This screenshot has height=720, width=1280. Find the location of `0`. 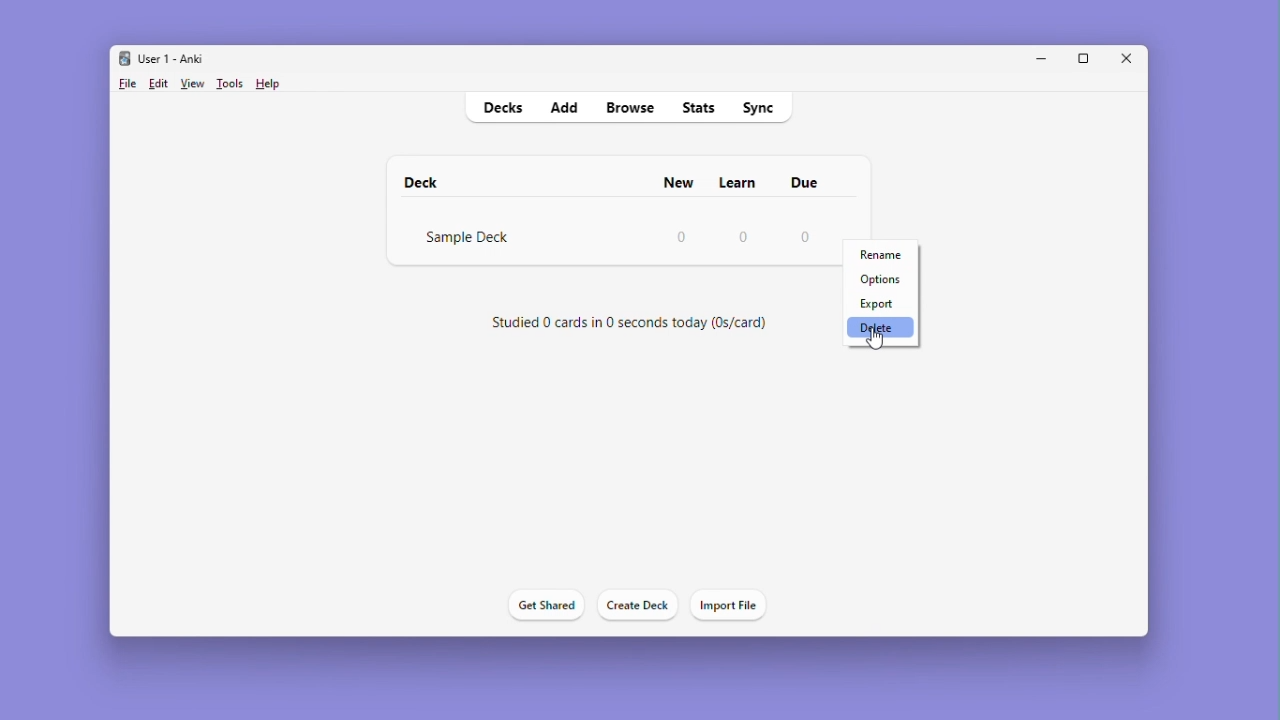

0 is located at coordinates (746, 238).